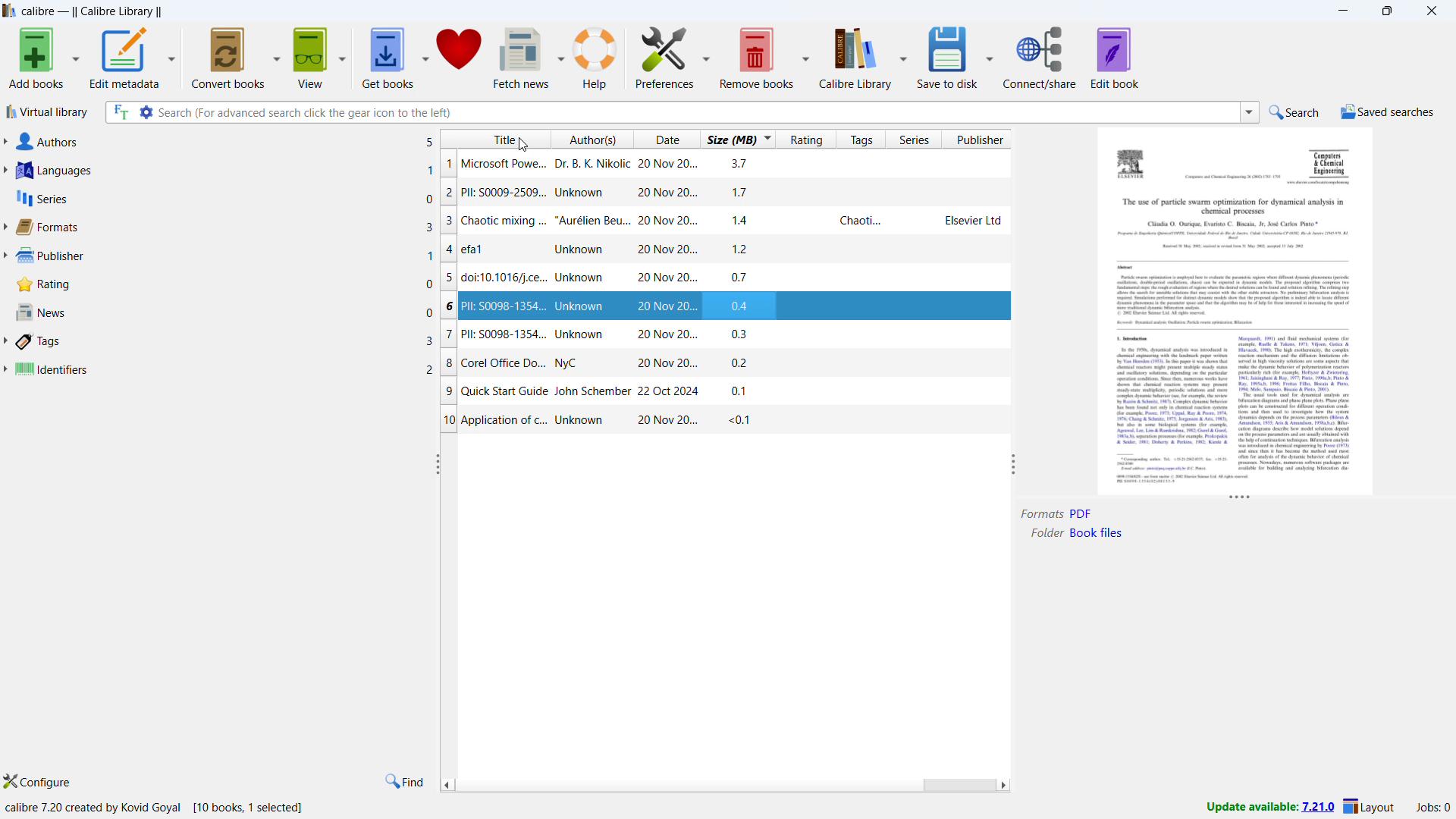 The height and width of the screenshot is (819, 1456). I want to click on save to disk , so click(946, 57).